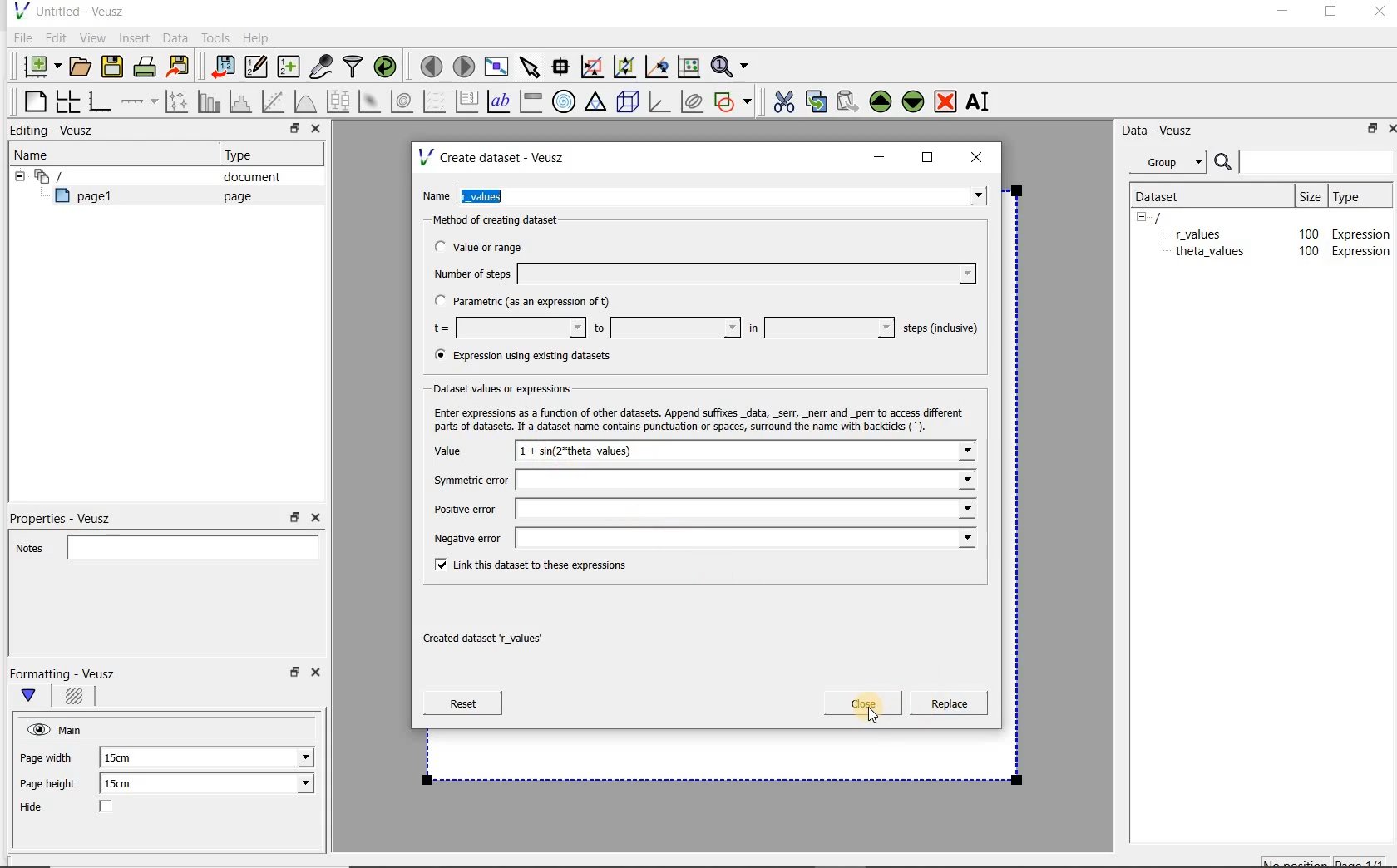 The height and width of the screenshot is (868, 1397). I want to click on page1, so click(91, 199).